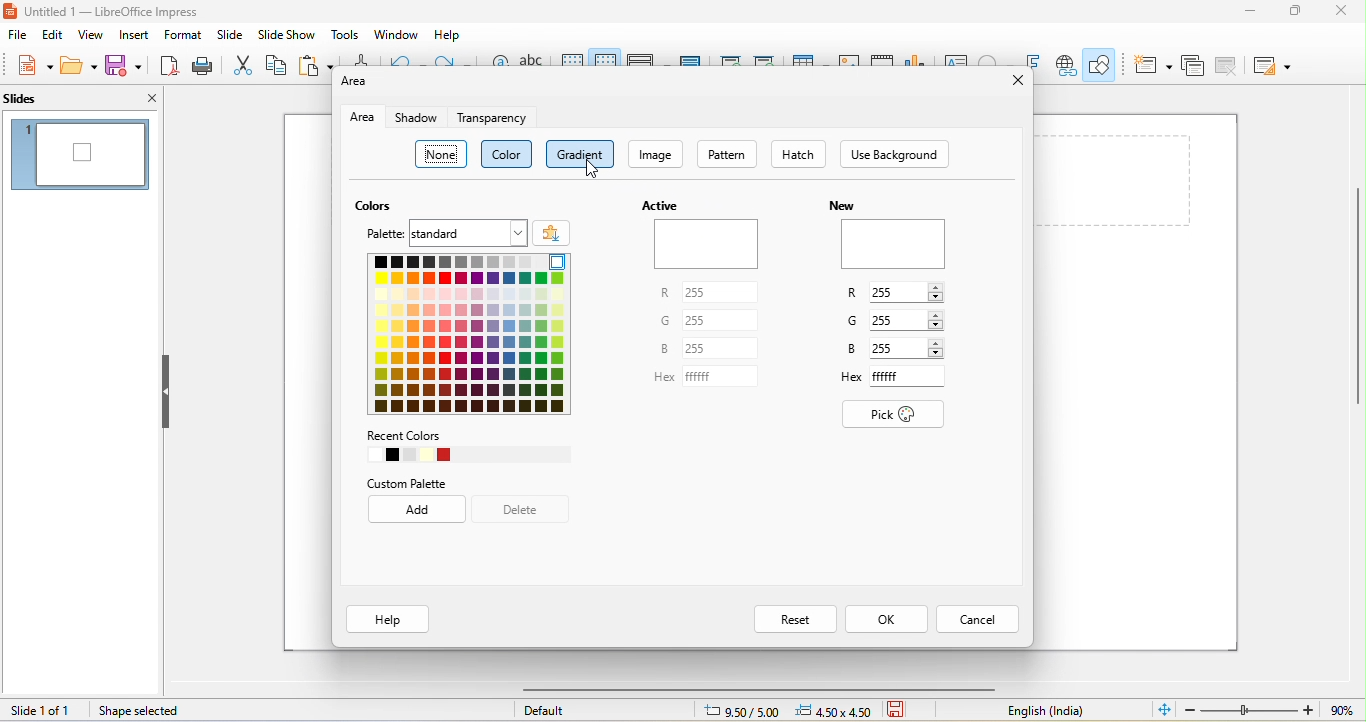 The image size is (1366, 722). I want to click on adjust, so click(943, 347).